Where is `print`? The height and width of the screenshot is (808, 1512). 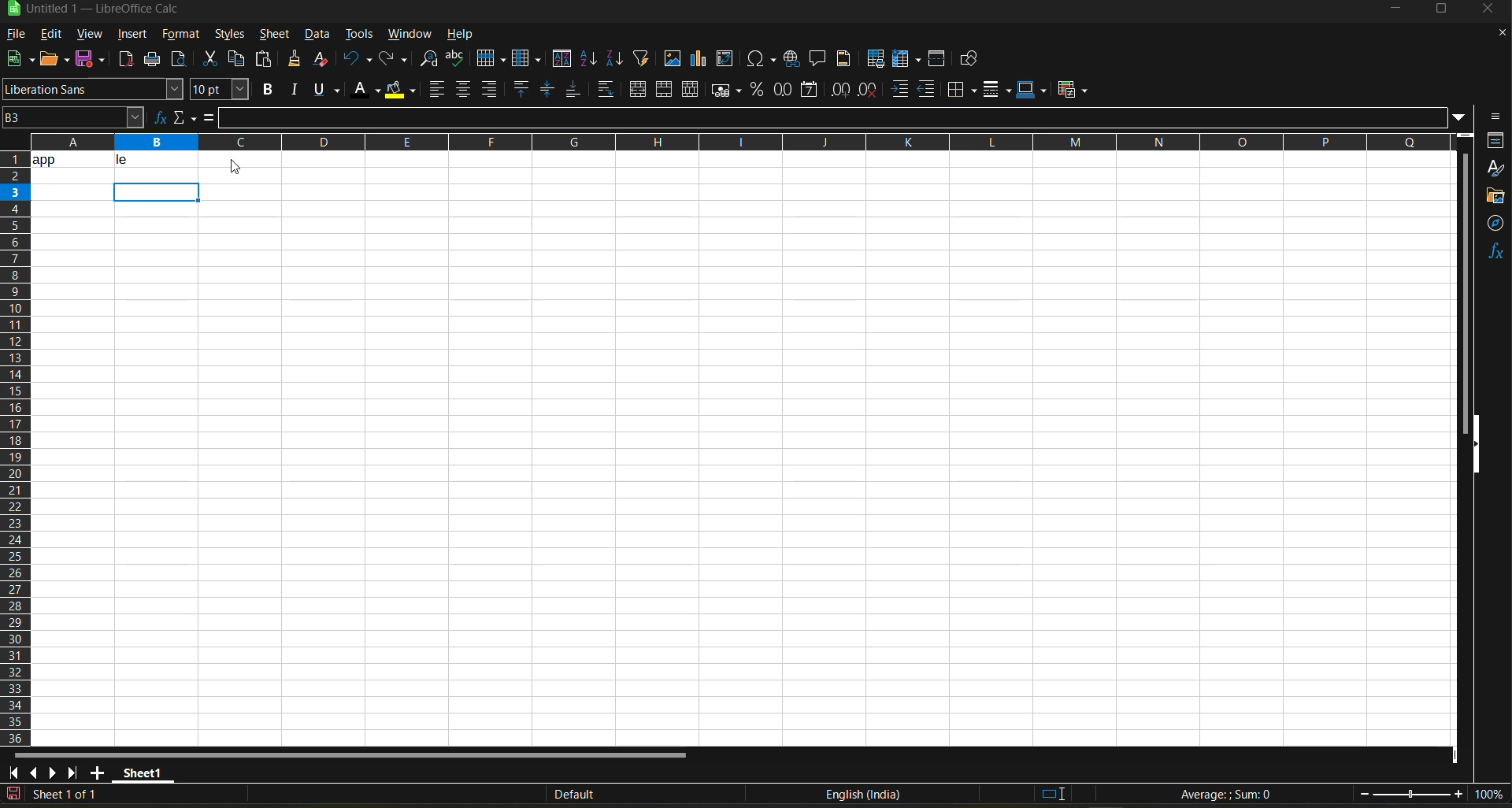 print is located at coordinates (152, 60).